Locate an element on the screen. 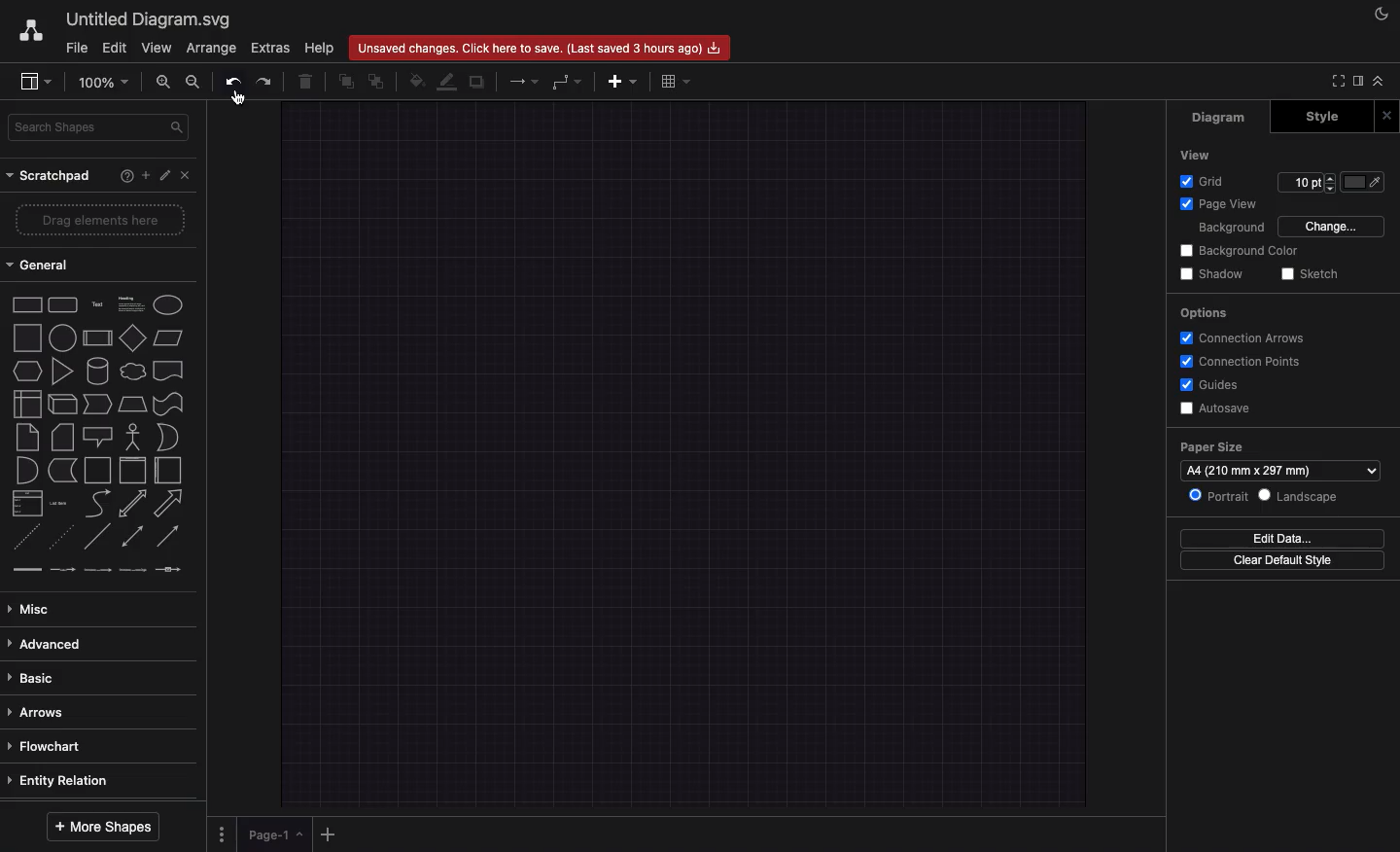 This screenshot has height=852, width=1400. Diagram is located at coordinates (1220, 117).